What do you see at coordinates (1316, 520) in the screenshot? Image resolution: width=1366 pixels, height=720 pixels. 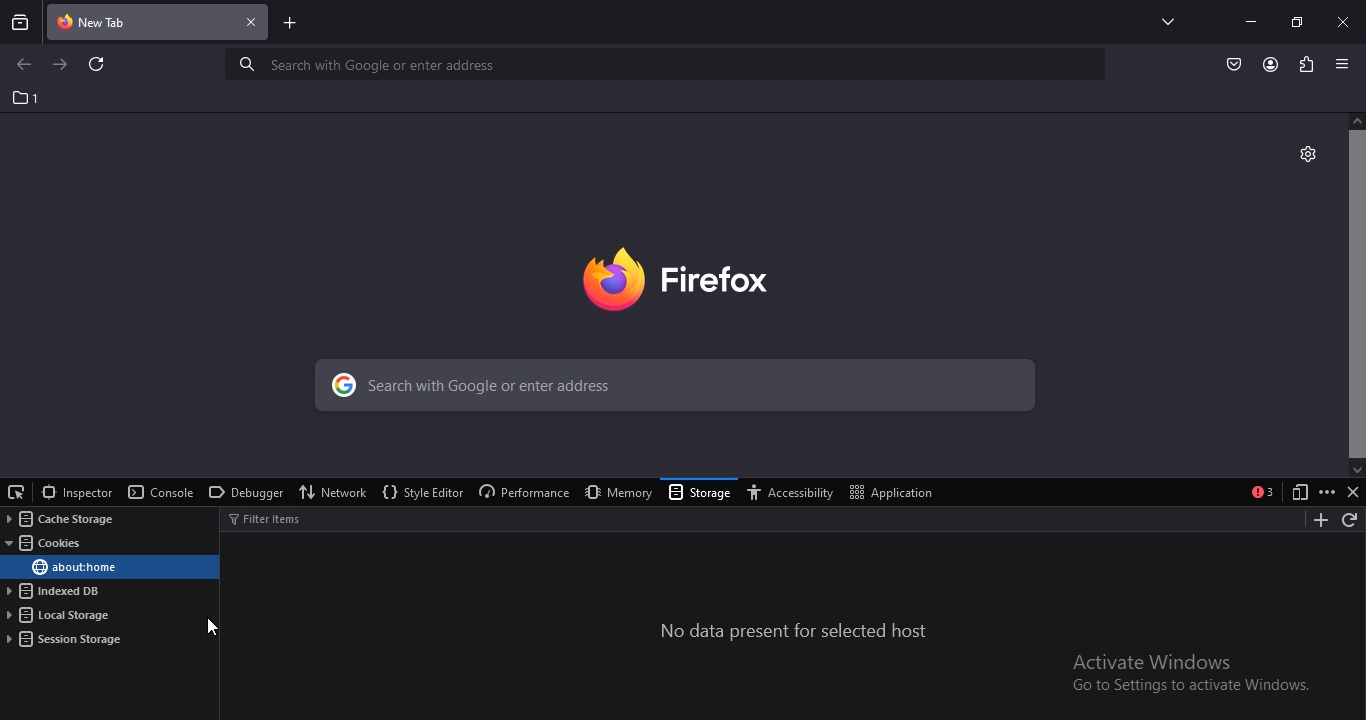 I see `add items` at bounding box center [1316, 520].